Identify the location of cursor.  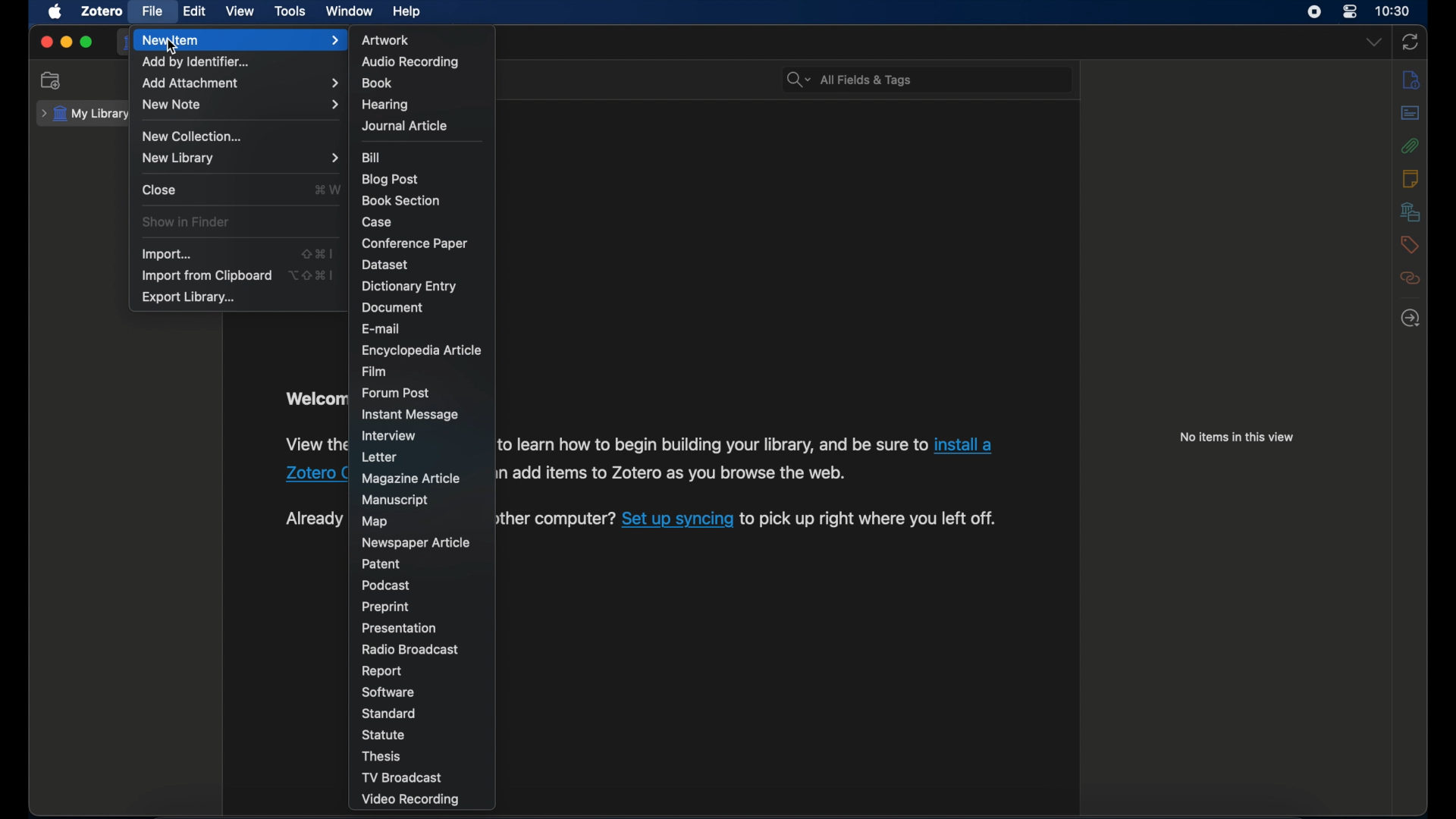
(171, 47).